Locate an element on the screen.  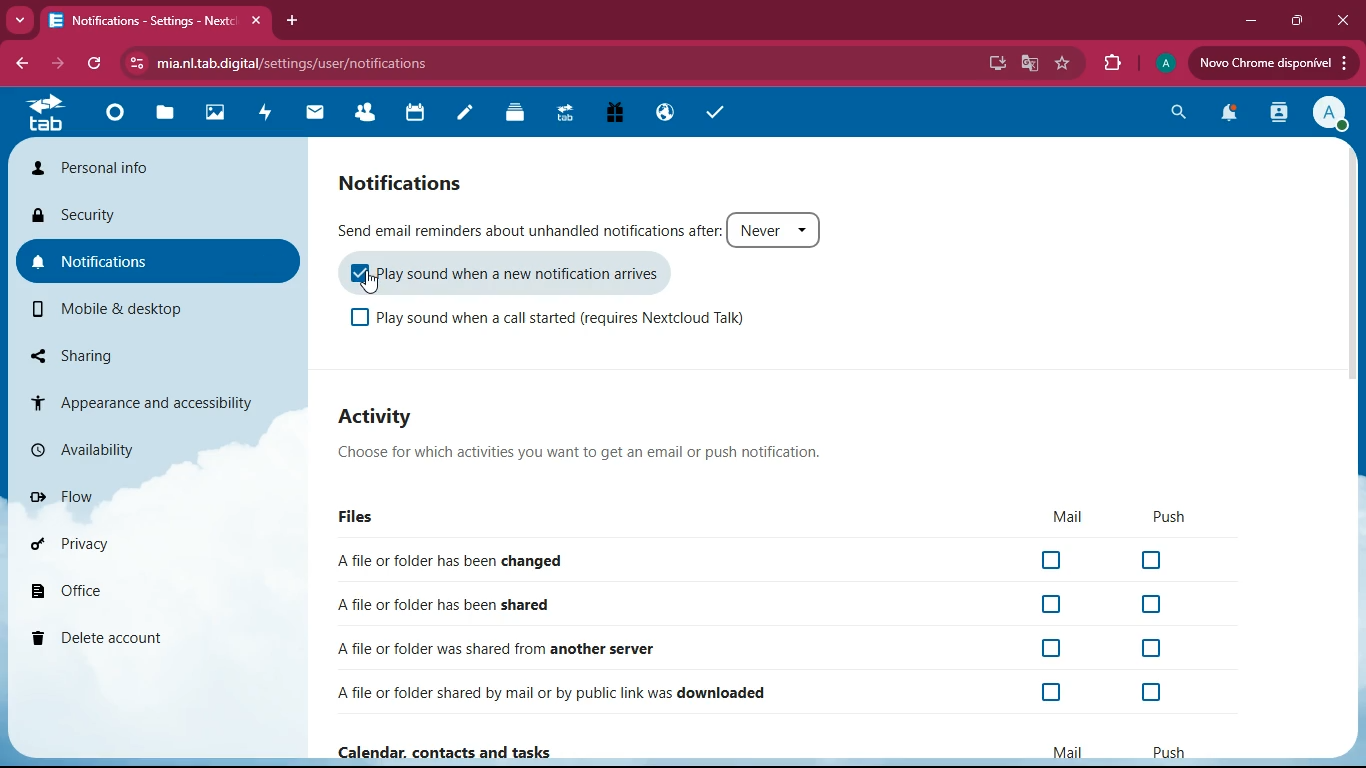
maximize is located at coordinates (1292, 21).